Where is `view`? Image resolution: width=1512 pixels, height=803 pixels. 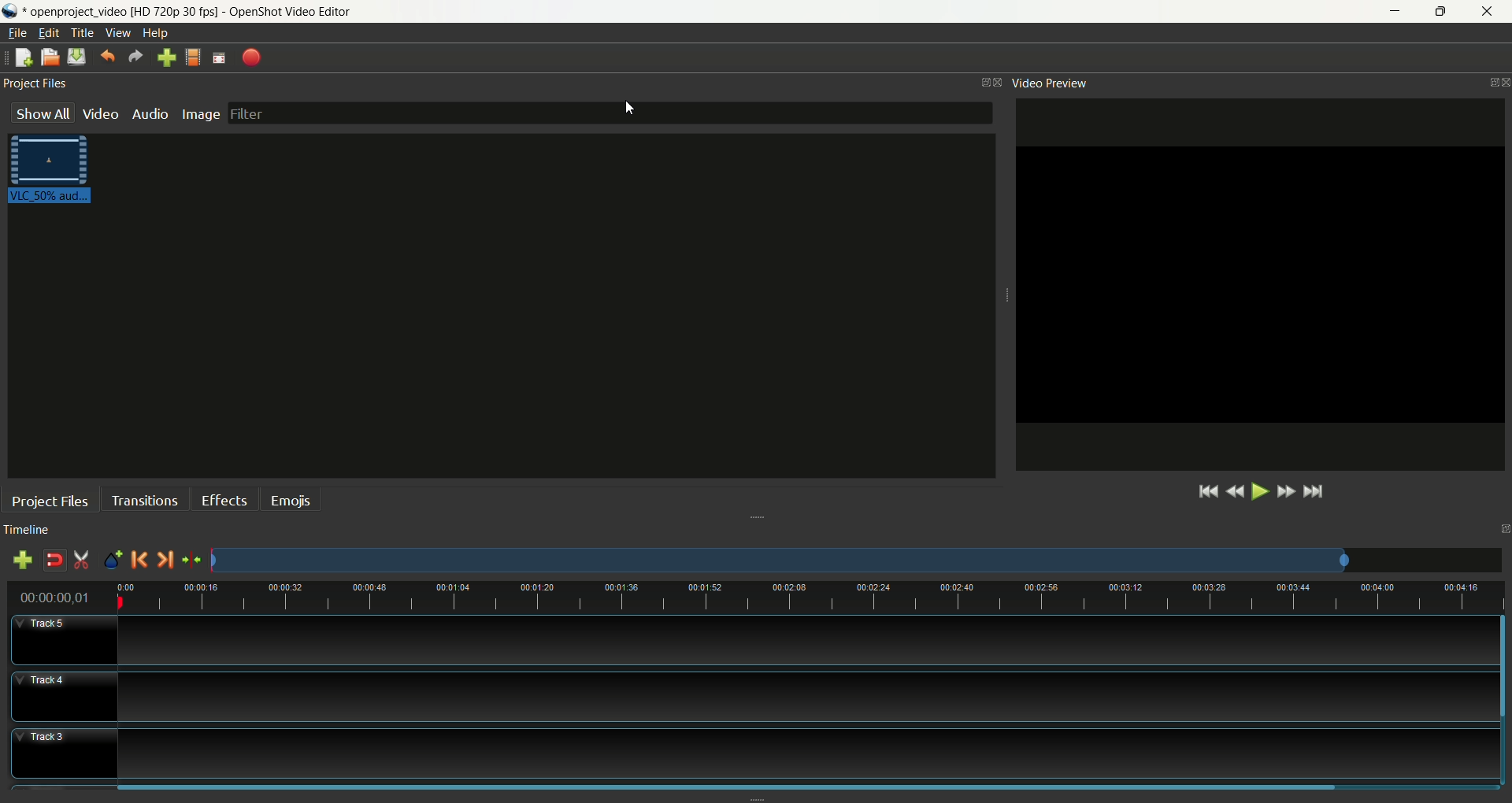 view is located at coordinates (121, 31).